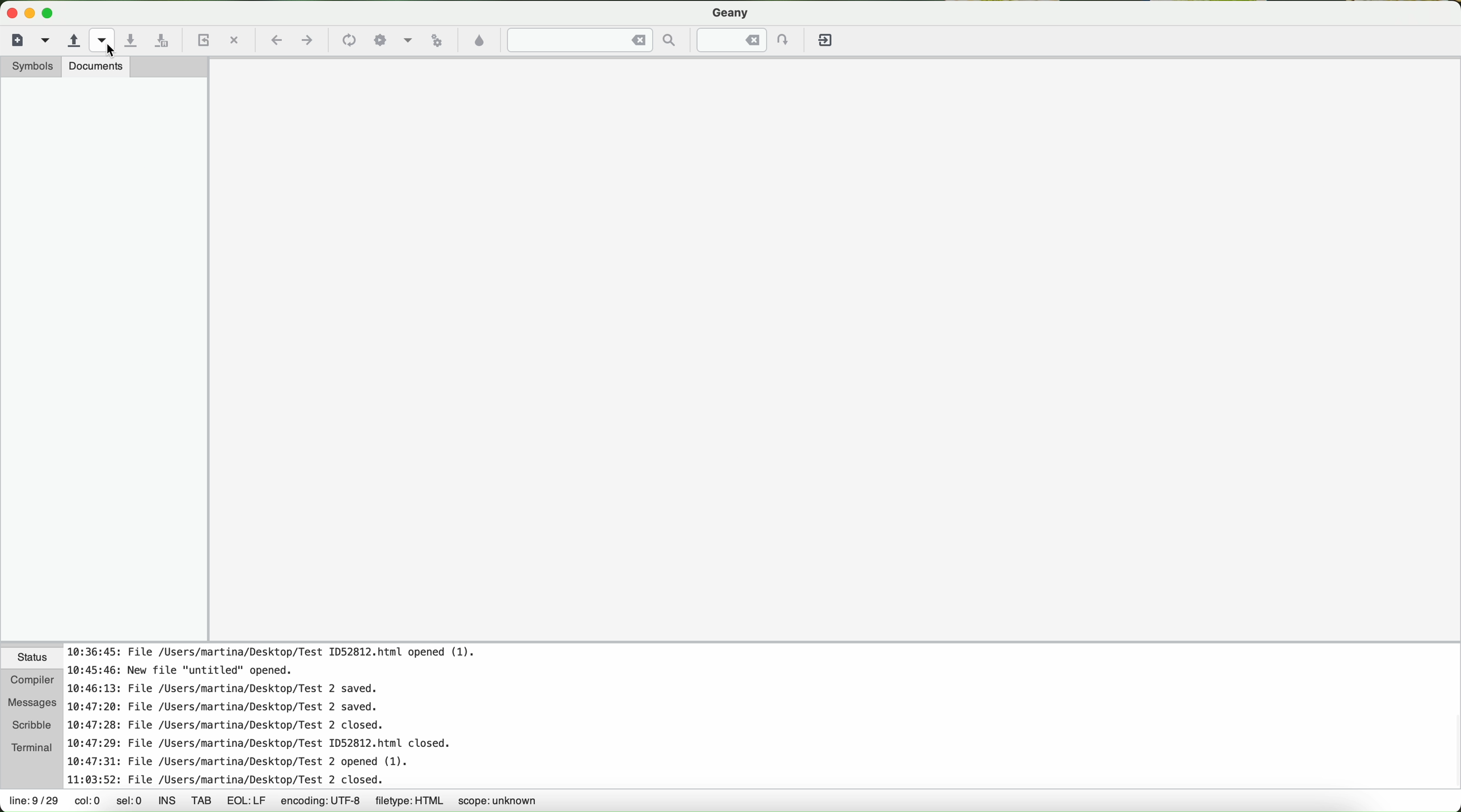  I want to click on documents, so click(96, 66).